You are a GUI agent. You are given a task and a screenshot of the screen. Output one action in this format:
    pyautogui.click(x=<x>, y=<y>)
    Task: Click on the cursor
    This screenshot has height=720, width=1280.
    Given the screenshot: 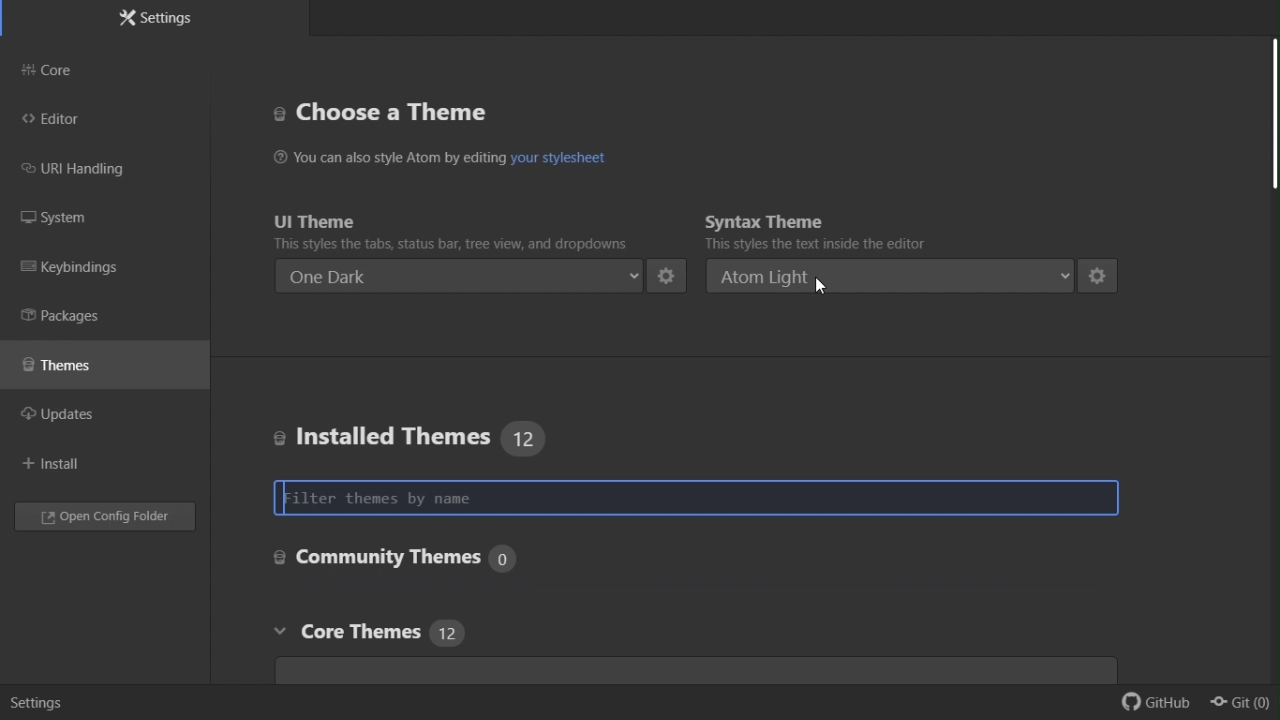 What is the action you would take?
    pyautogui.click(x=819, y=281)
    